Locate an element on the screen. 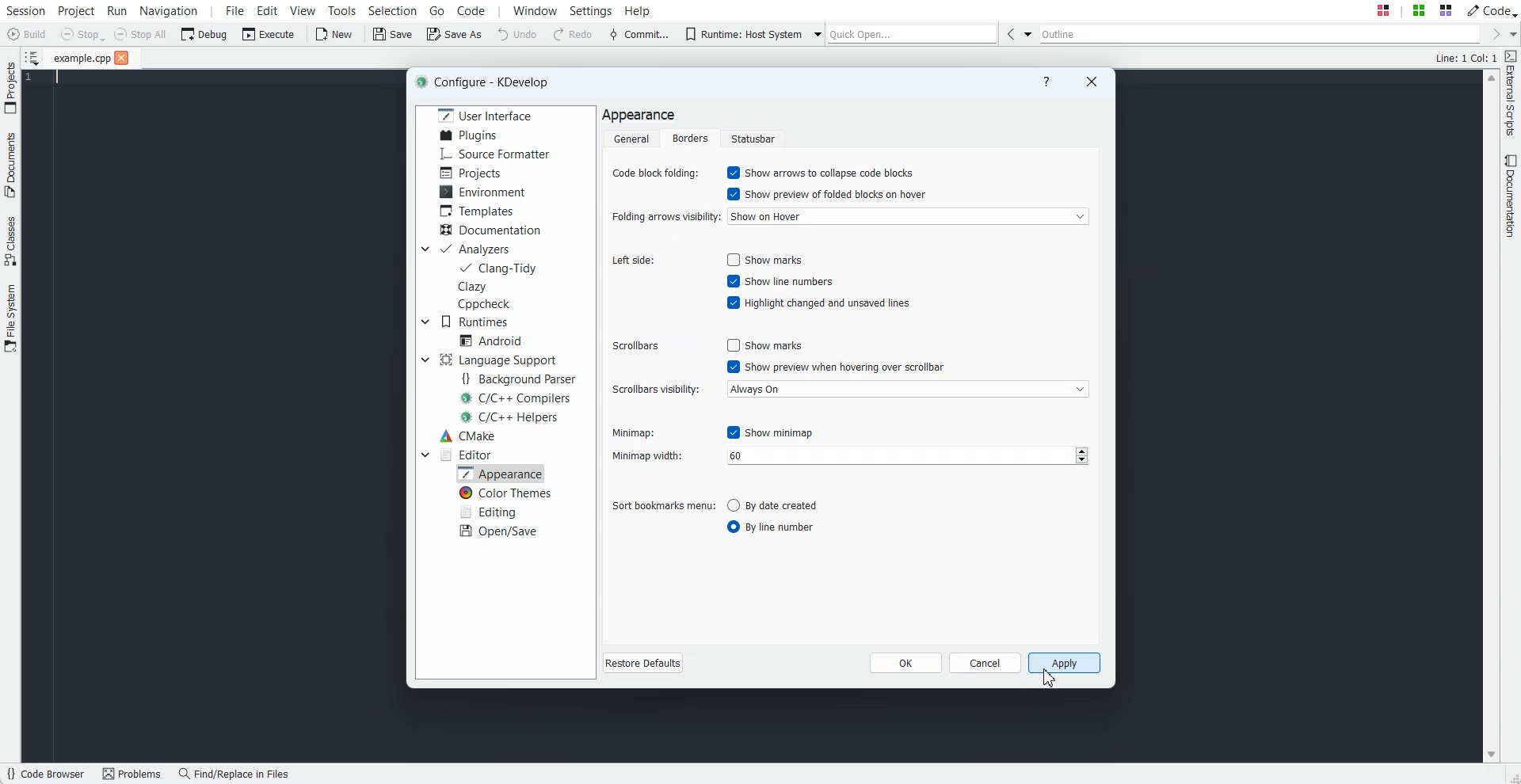 The height and width of the screenshot is (784, 1521). Minimap width is located at coordinates (663, 455).